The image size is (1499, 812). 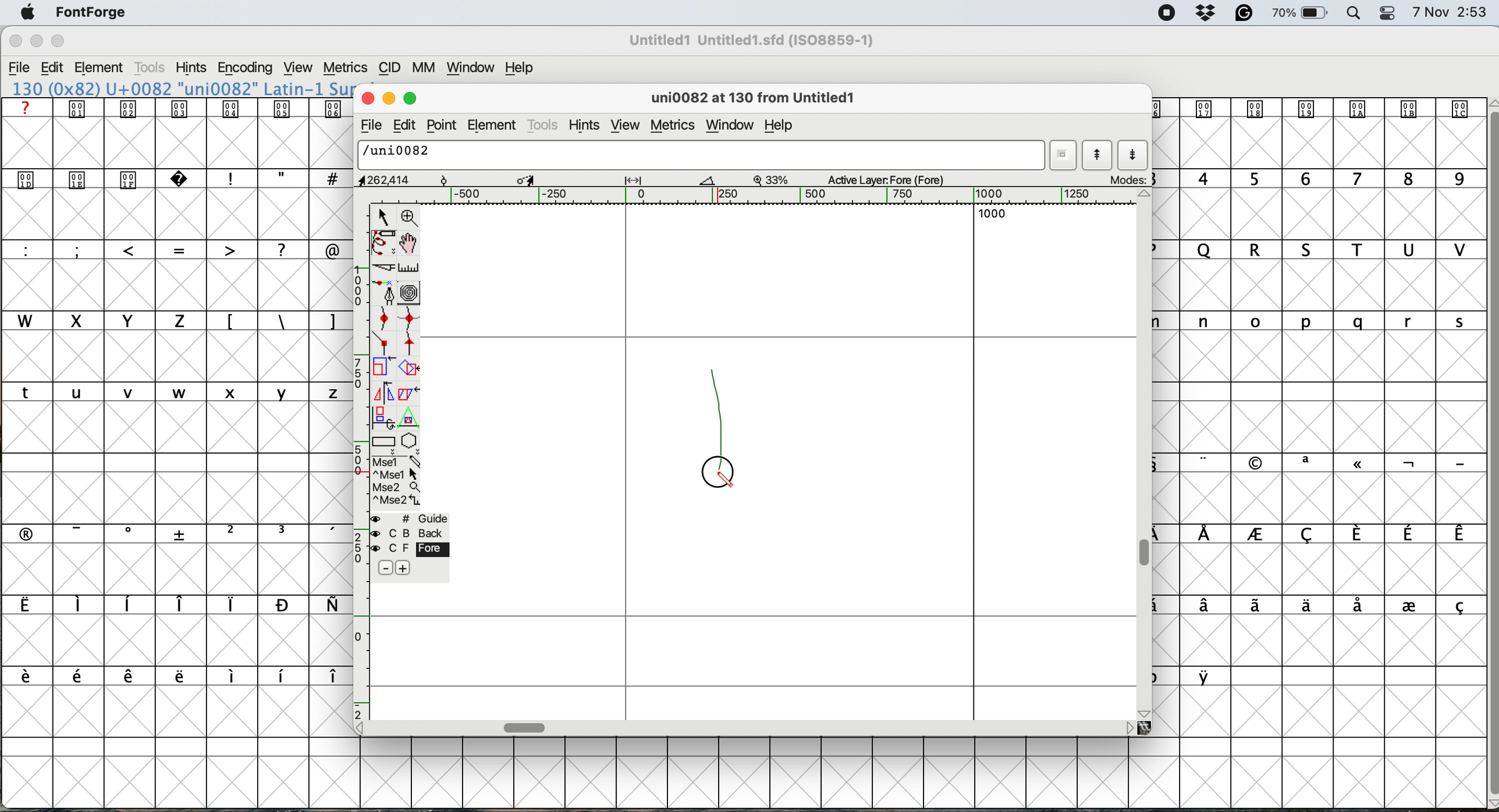 What do you see at coordinates (409, 533) in the screenshot?
I see `back` at bounding box center [409, 533].